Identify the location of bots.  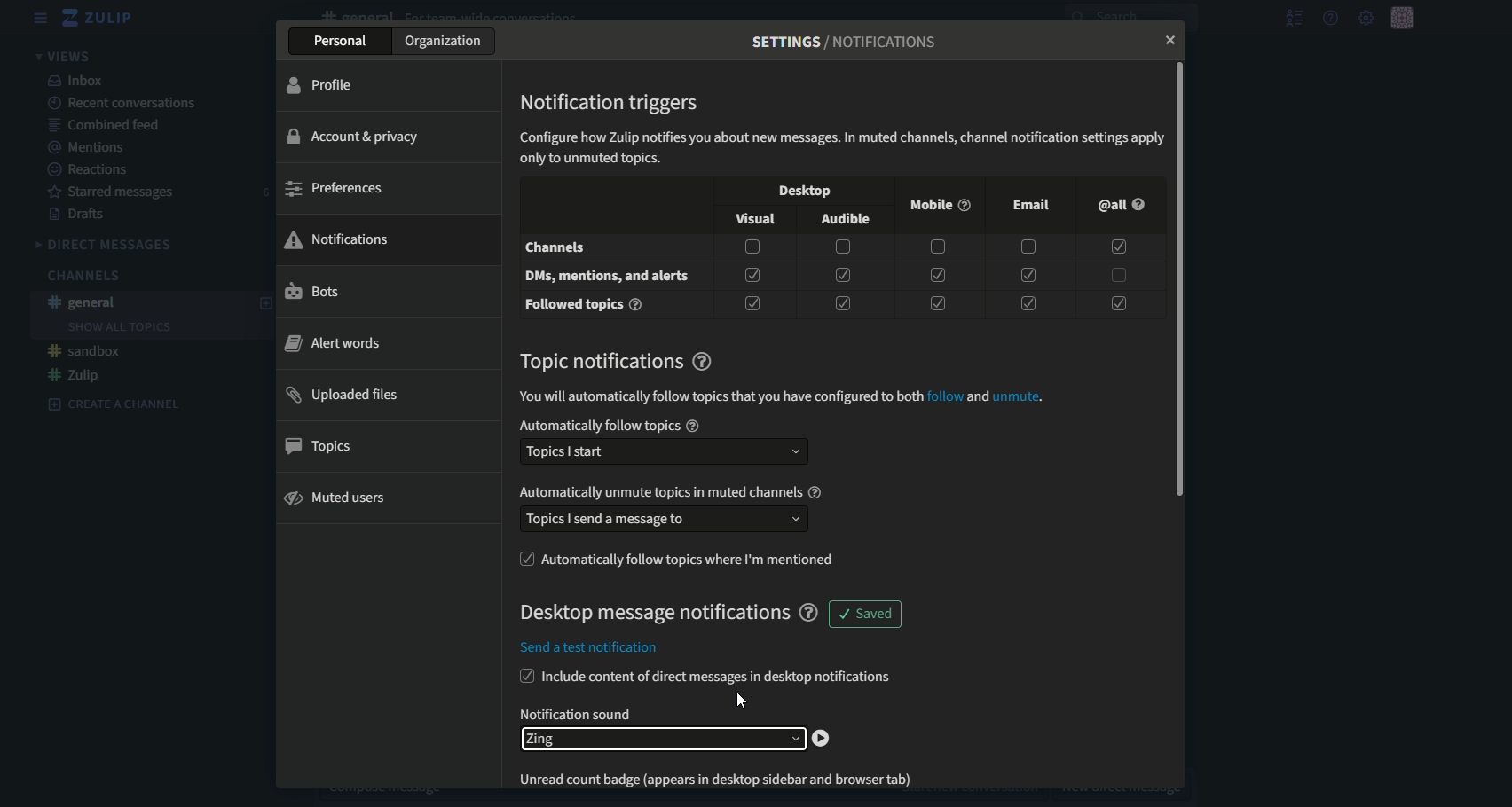
(313, 293).